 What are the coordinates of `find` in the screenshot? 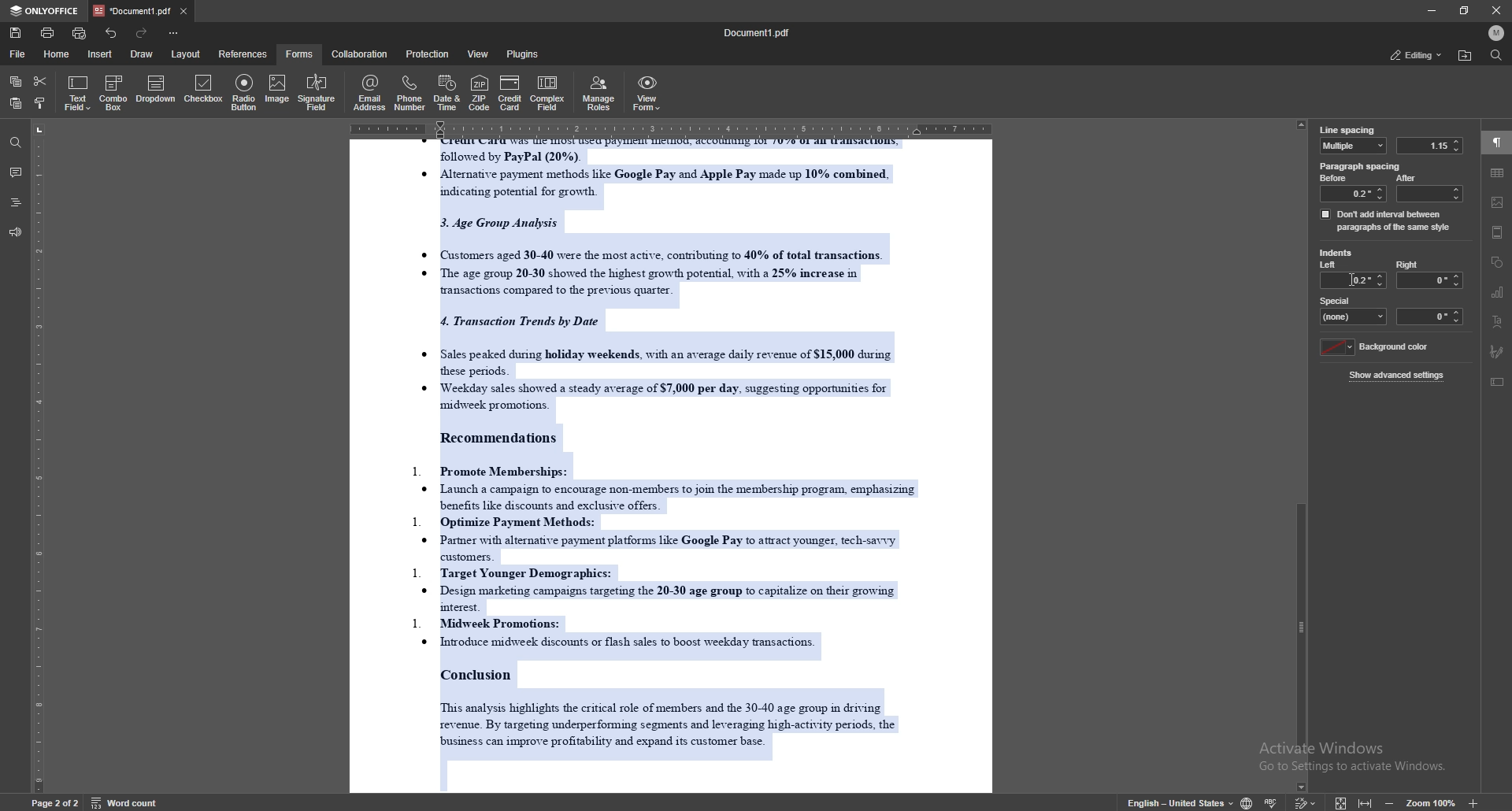 It's located at (1496, 55).